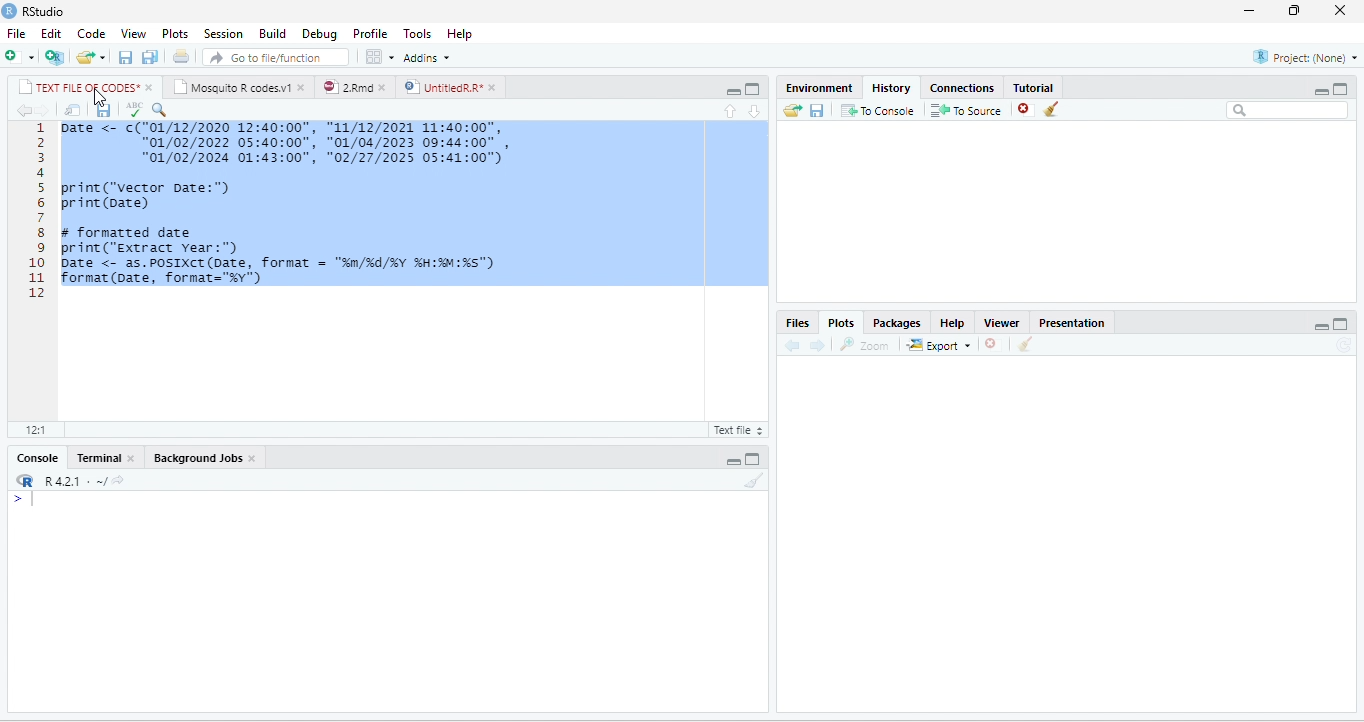  Describe the element at coordinates (1287, 111) in the screenshot. I see `search bar` at that location.